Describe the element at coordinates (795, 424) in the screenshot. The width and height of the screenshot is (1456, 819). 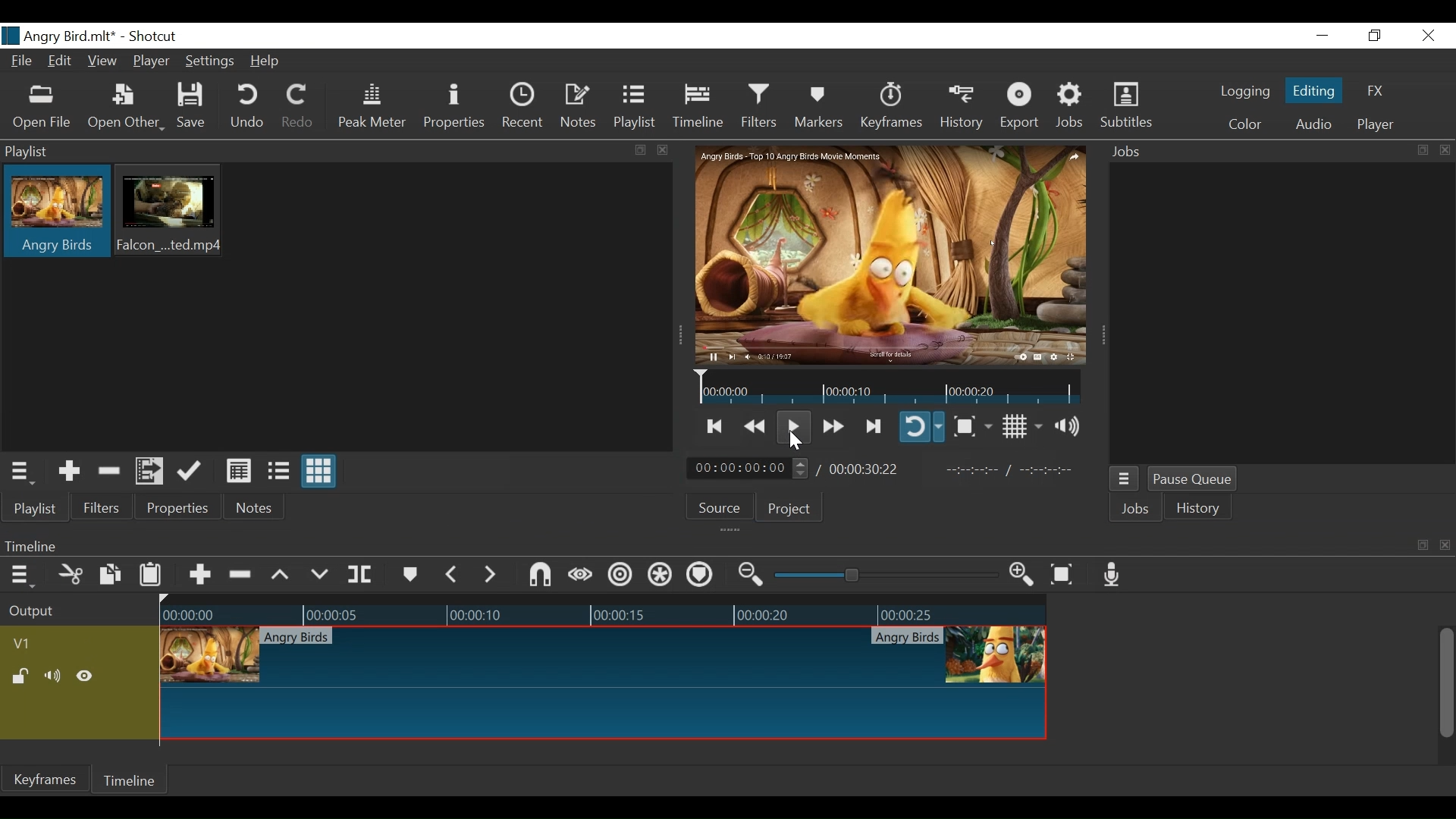
I see `Toggle play or pause` at that location.